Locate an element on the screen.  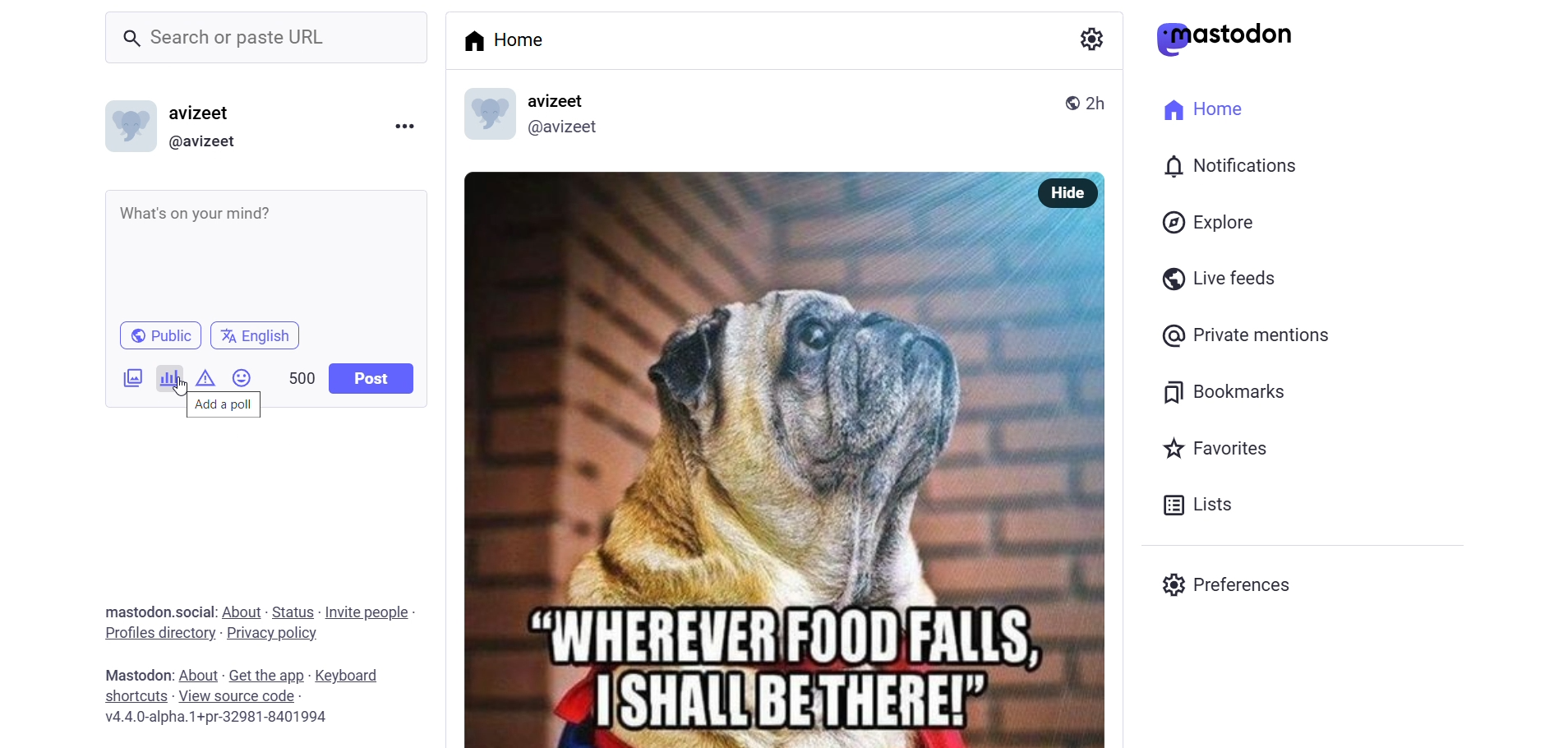
home is located at coordinates (1198, 107).